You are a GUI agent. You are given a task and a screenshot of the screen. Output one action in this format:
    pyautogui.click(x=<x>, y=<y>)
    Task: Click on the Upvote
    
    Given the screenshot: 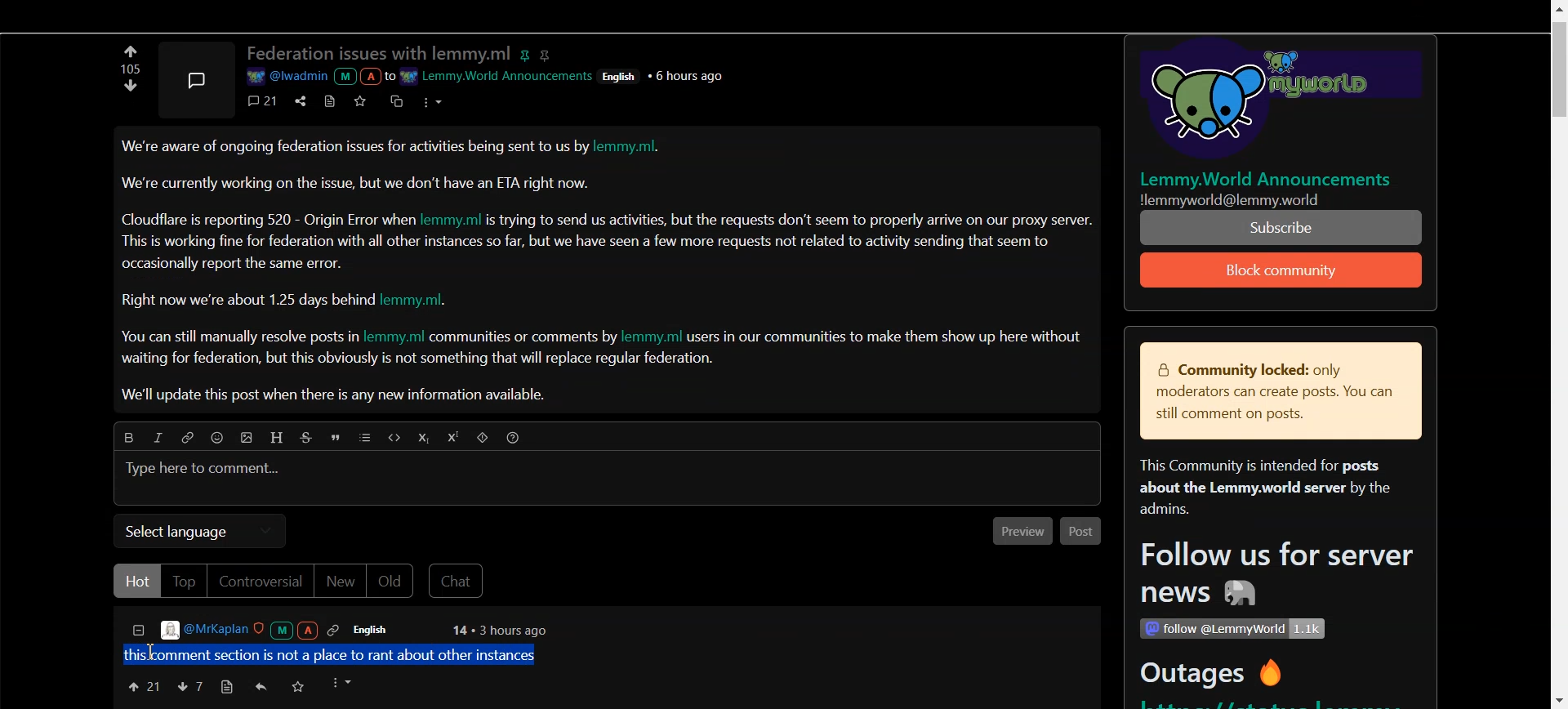 What is the action you would take?
    pyautogui.click(x=143, y=685)
    